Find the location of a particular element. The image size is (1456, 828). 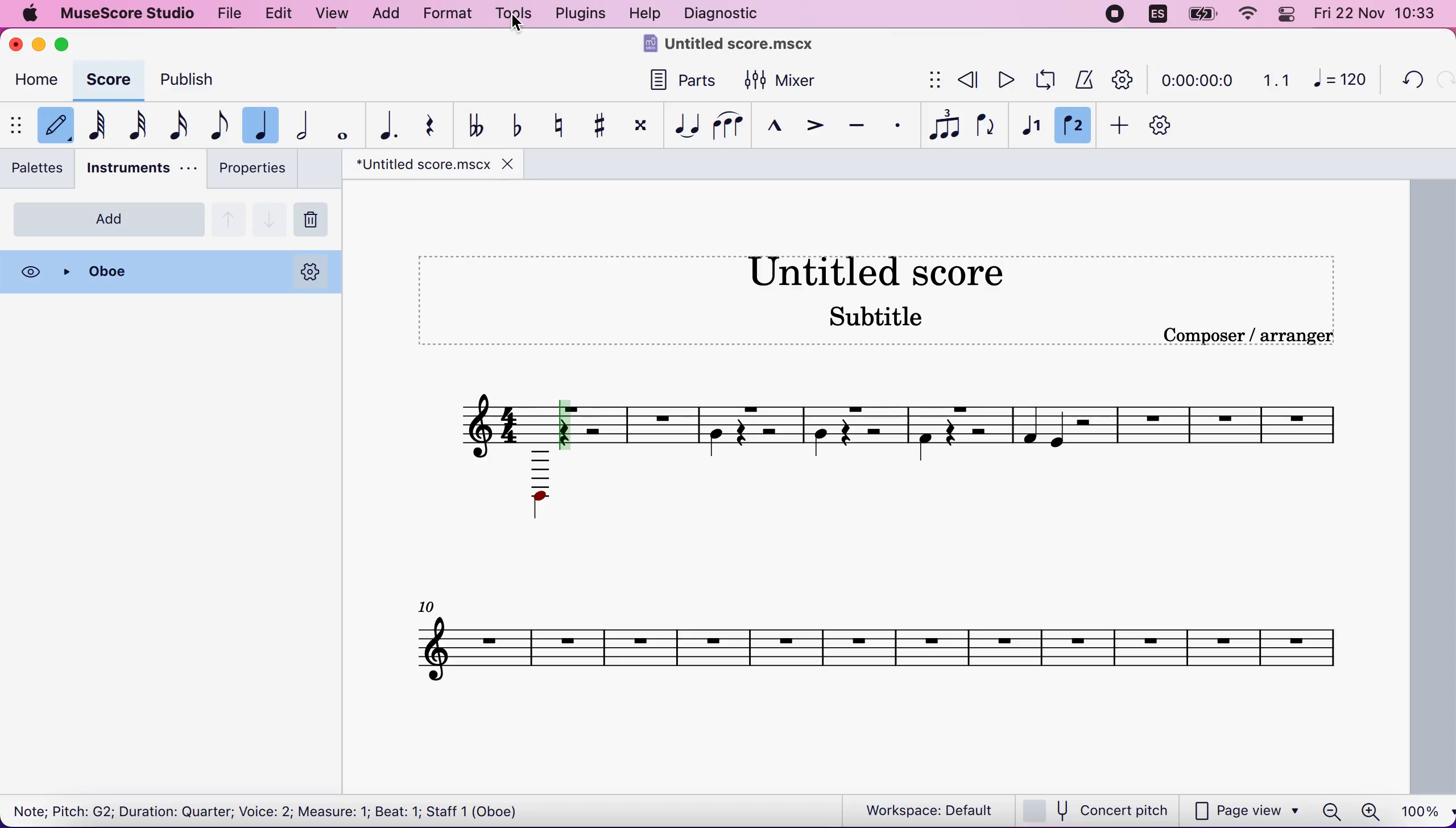

panel control is located at coordinates (1285, 14).